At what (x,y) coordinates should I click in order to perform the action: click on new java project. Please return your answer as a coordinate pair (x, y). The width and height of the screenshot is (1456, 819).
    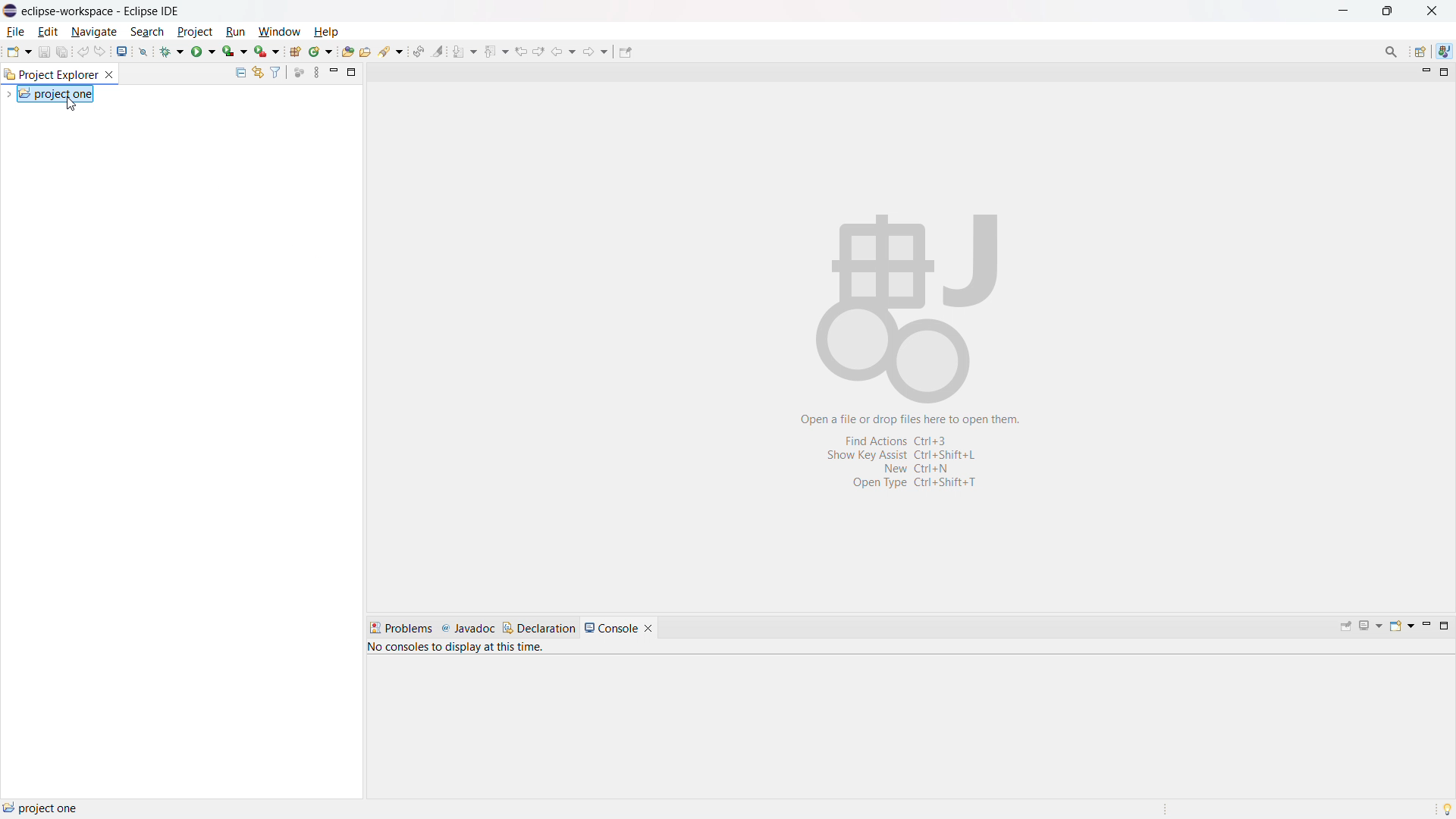
    Looking at the image, I should click on (294, 52).